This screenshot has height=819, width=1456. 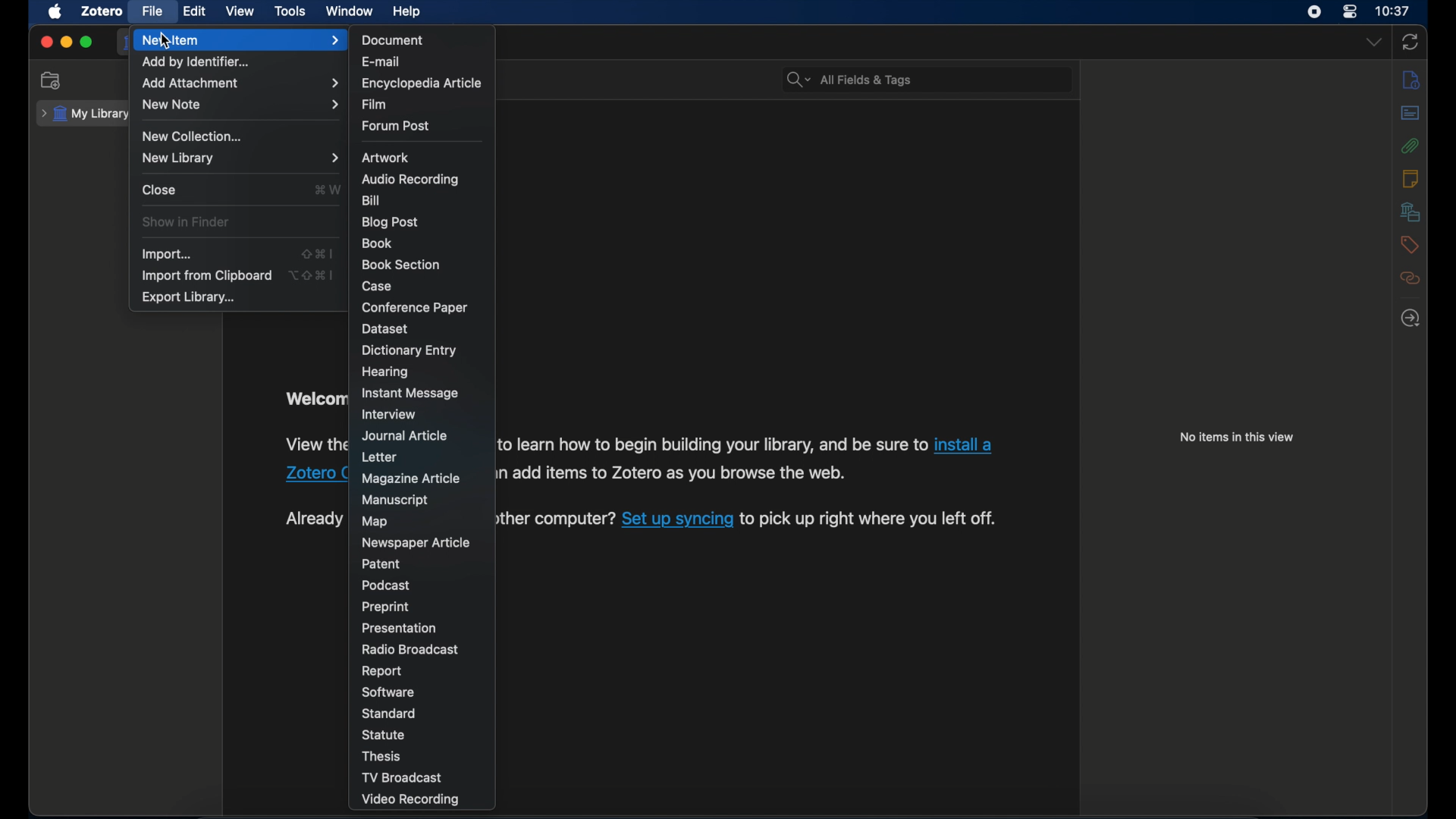 I want to click on cursor on New item, so click(x=165, y=42).